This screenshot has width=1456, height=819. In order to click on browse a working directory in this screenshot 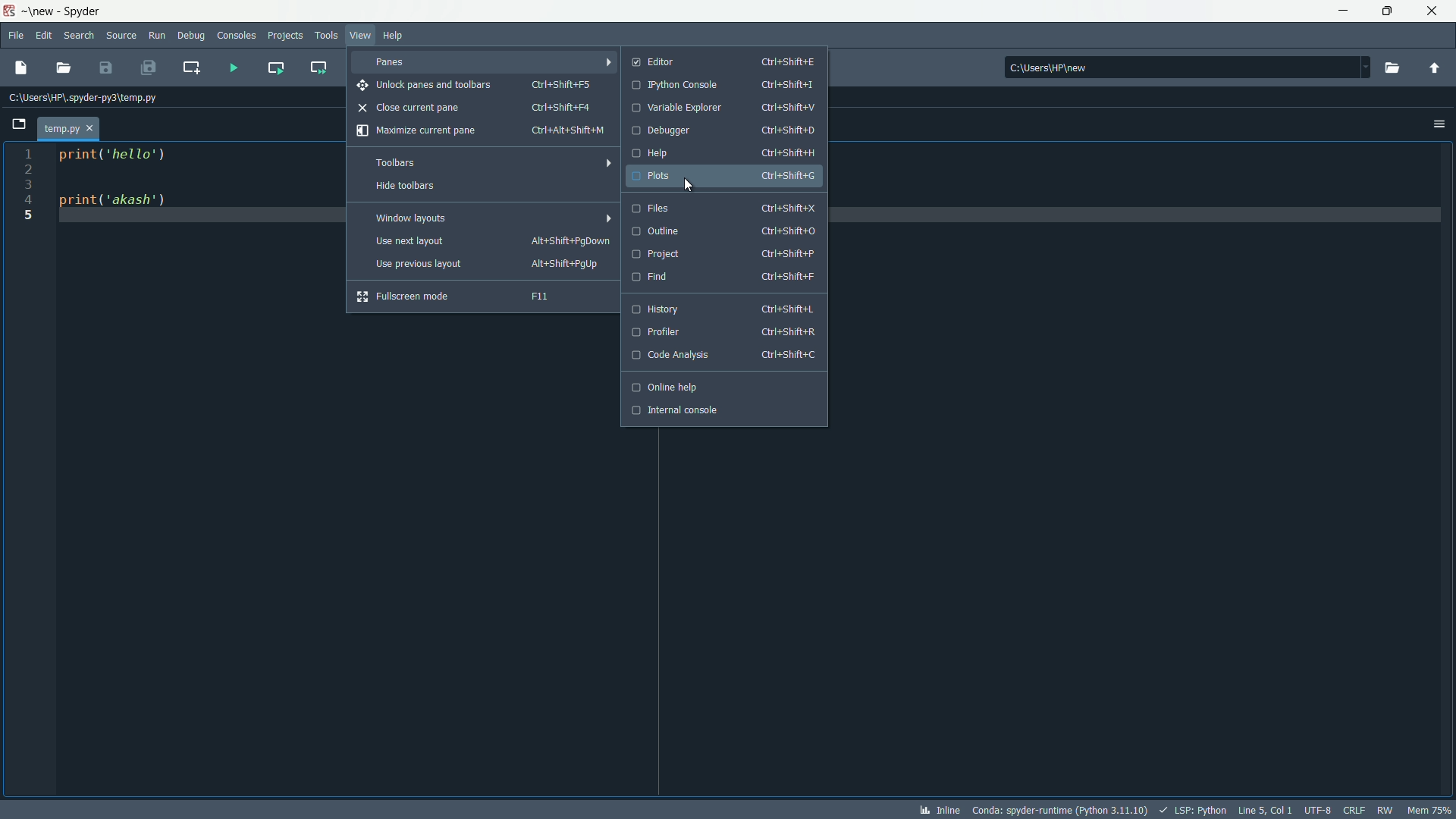, I will do `click(1395, 67)`.